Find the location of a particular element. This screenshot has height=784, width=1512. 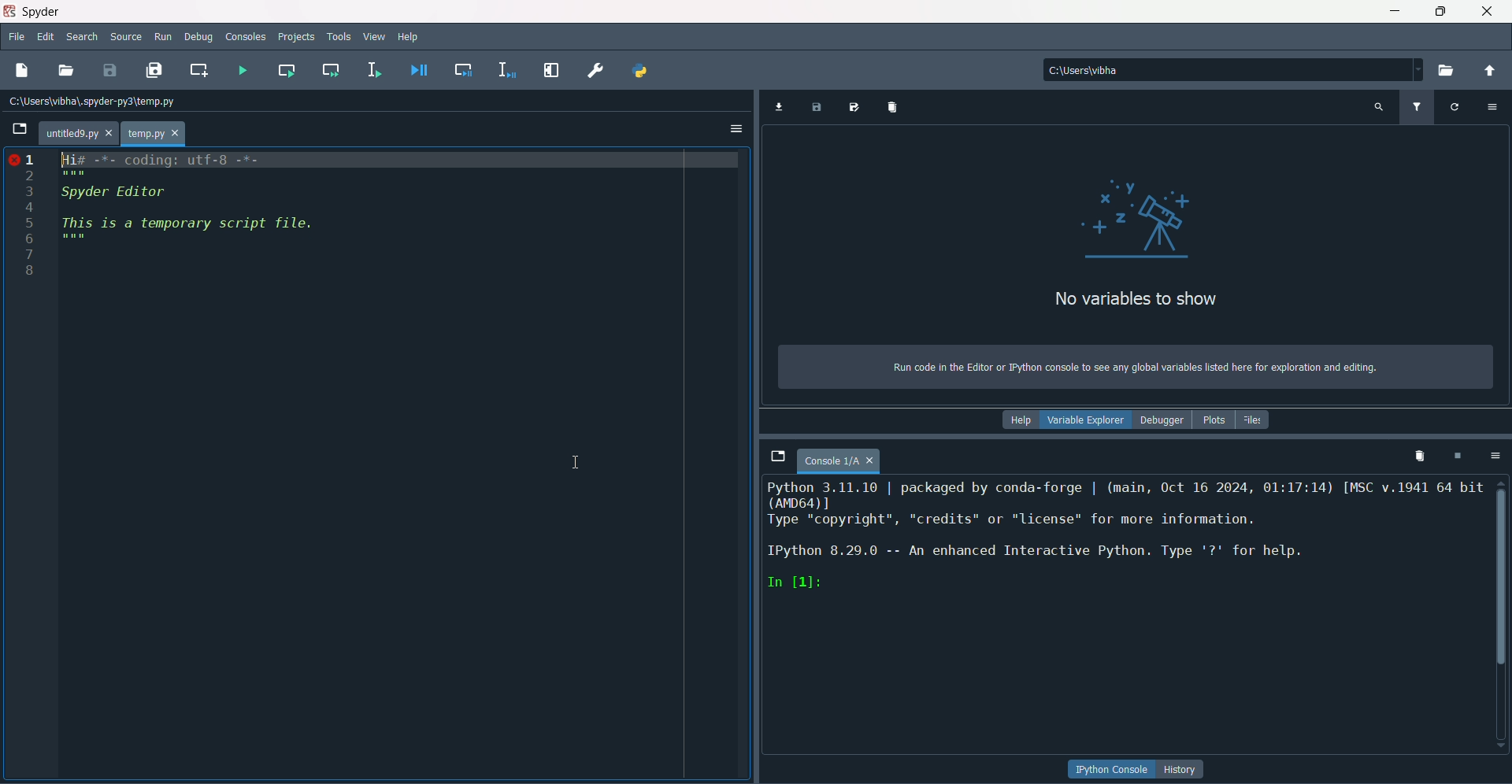

close is located at coordinates (1487, 11).